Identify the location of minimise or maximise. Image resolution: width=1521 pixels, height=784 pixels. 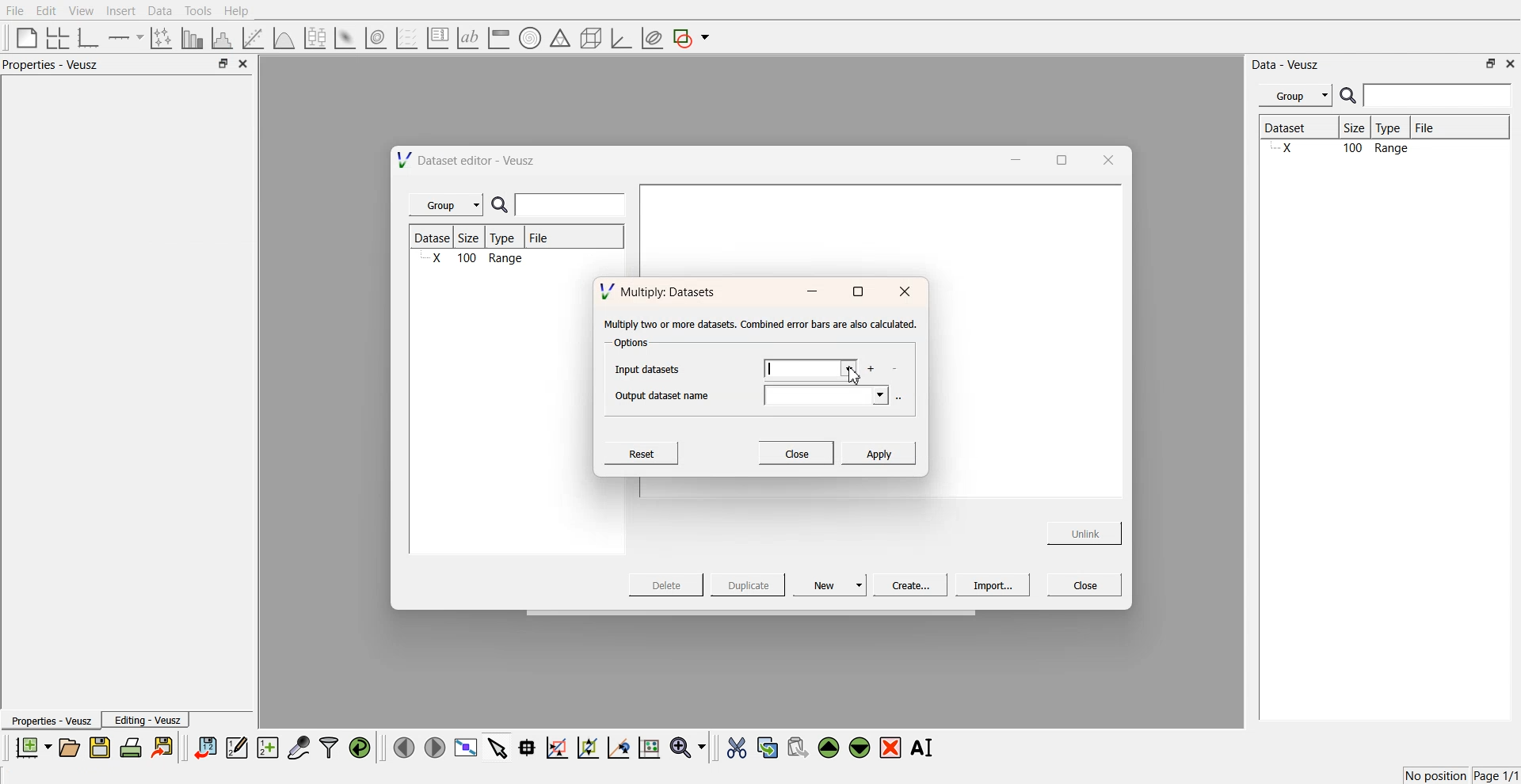
(223, 64).